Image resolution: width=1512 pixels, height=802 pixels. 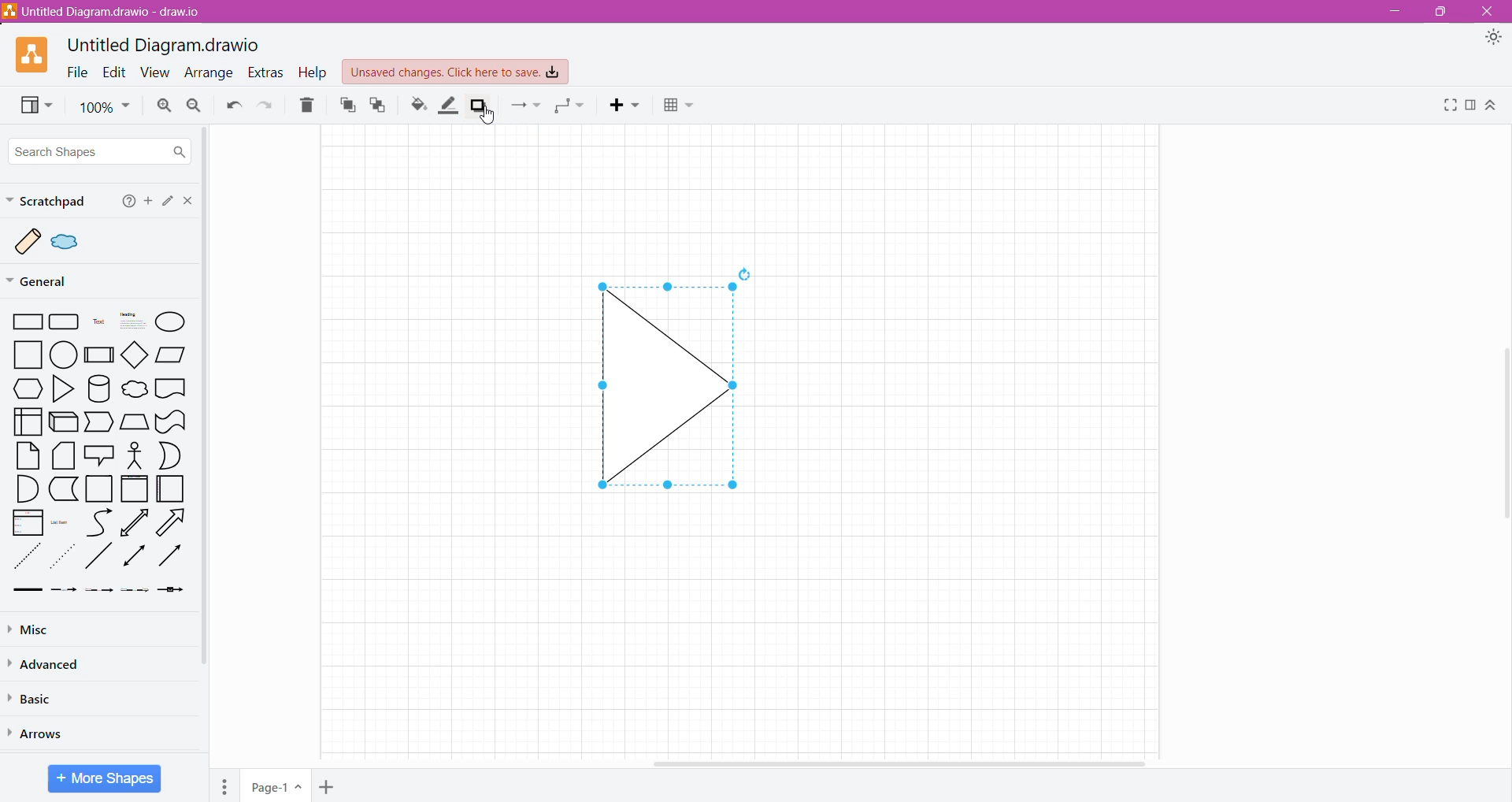 I want to click on To Back, so click(x=380, y=104).